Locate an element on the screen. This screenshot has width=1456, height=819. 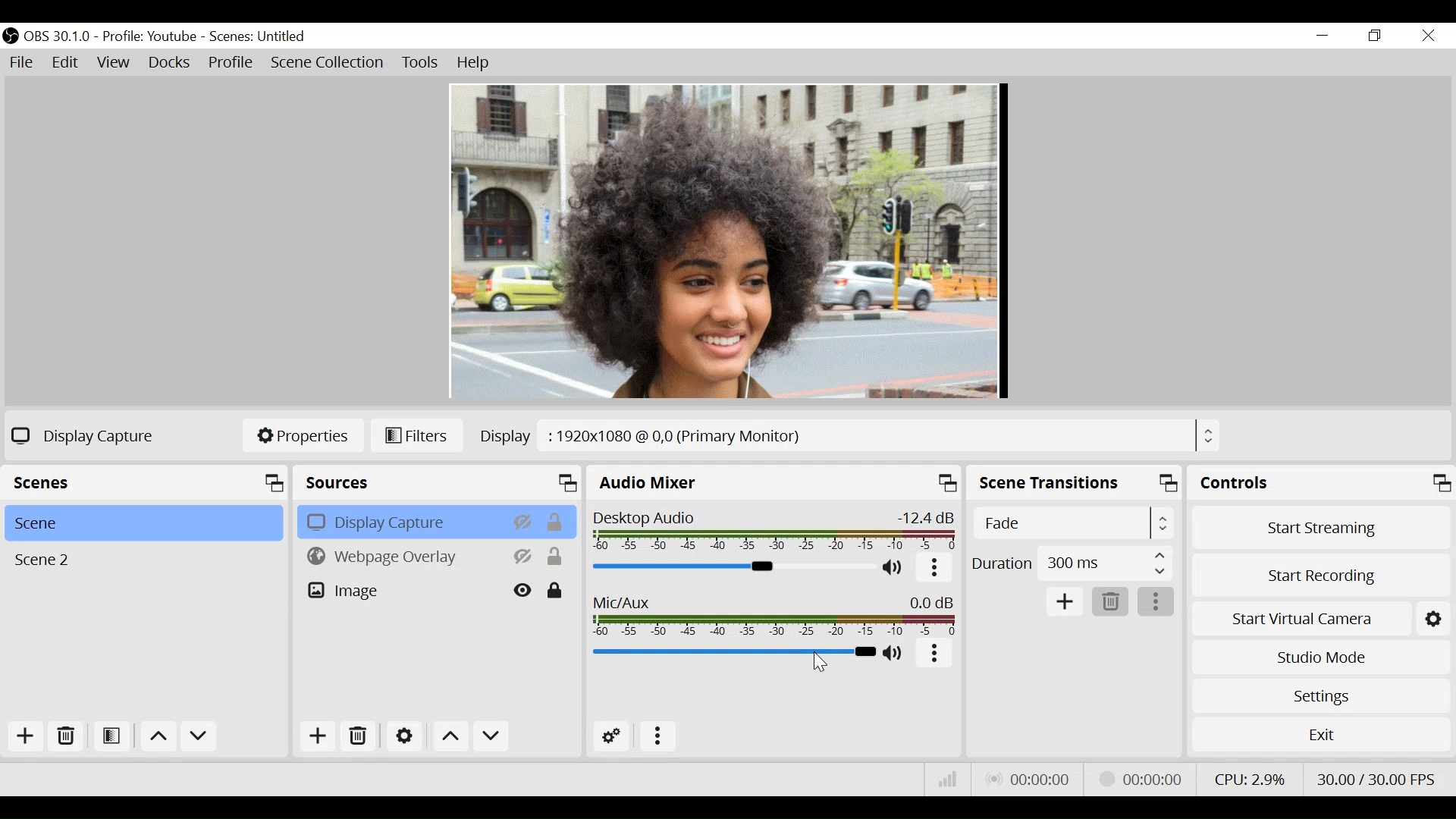
Settings is located at coordinates (1319, 693).